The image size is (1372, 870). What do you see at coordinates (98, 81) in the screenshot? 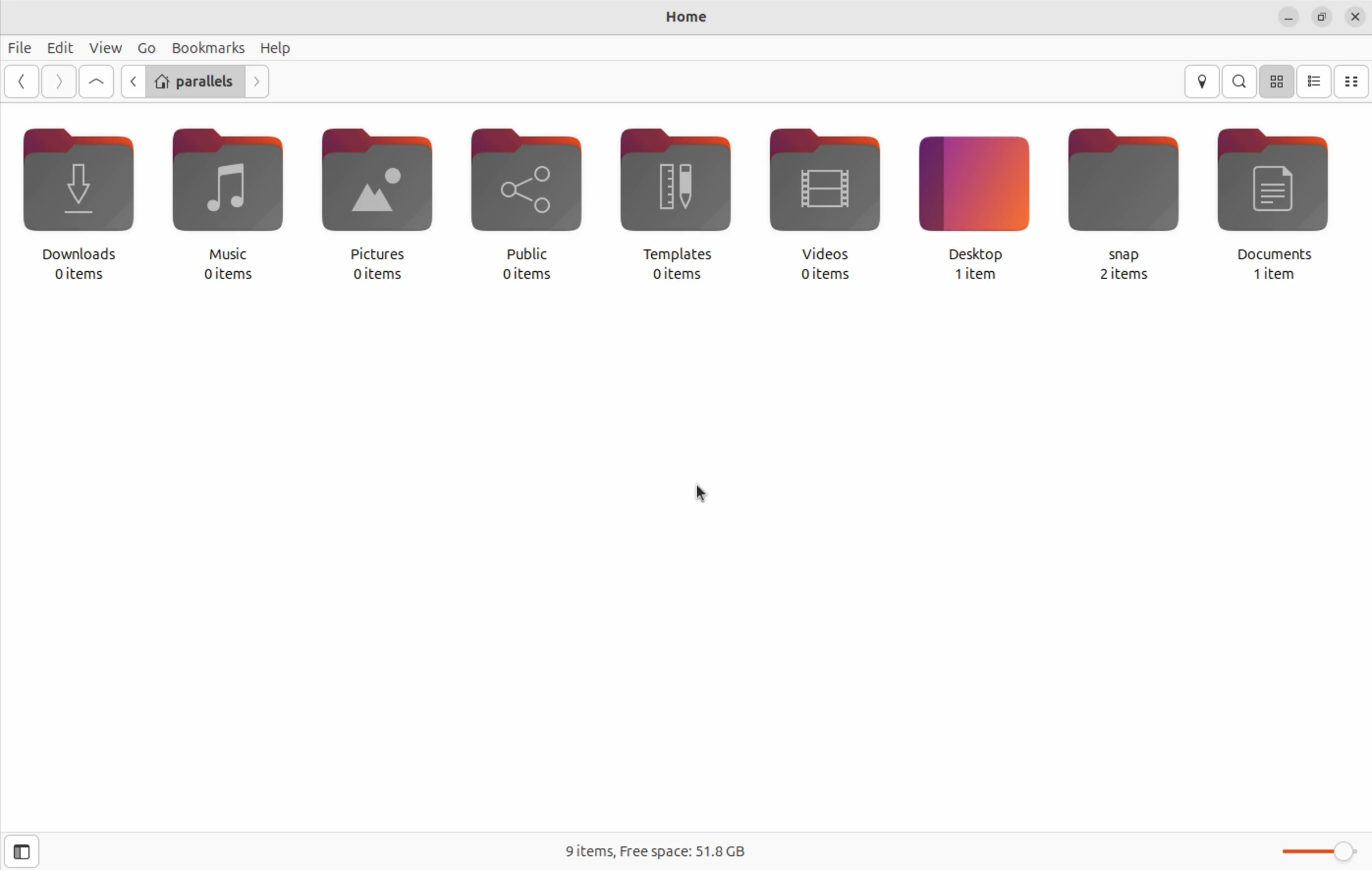
I see `Got to first` at bounding box center [98, 81].